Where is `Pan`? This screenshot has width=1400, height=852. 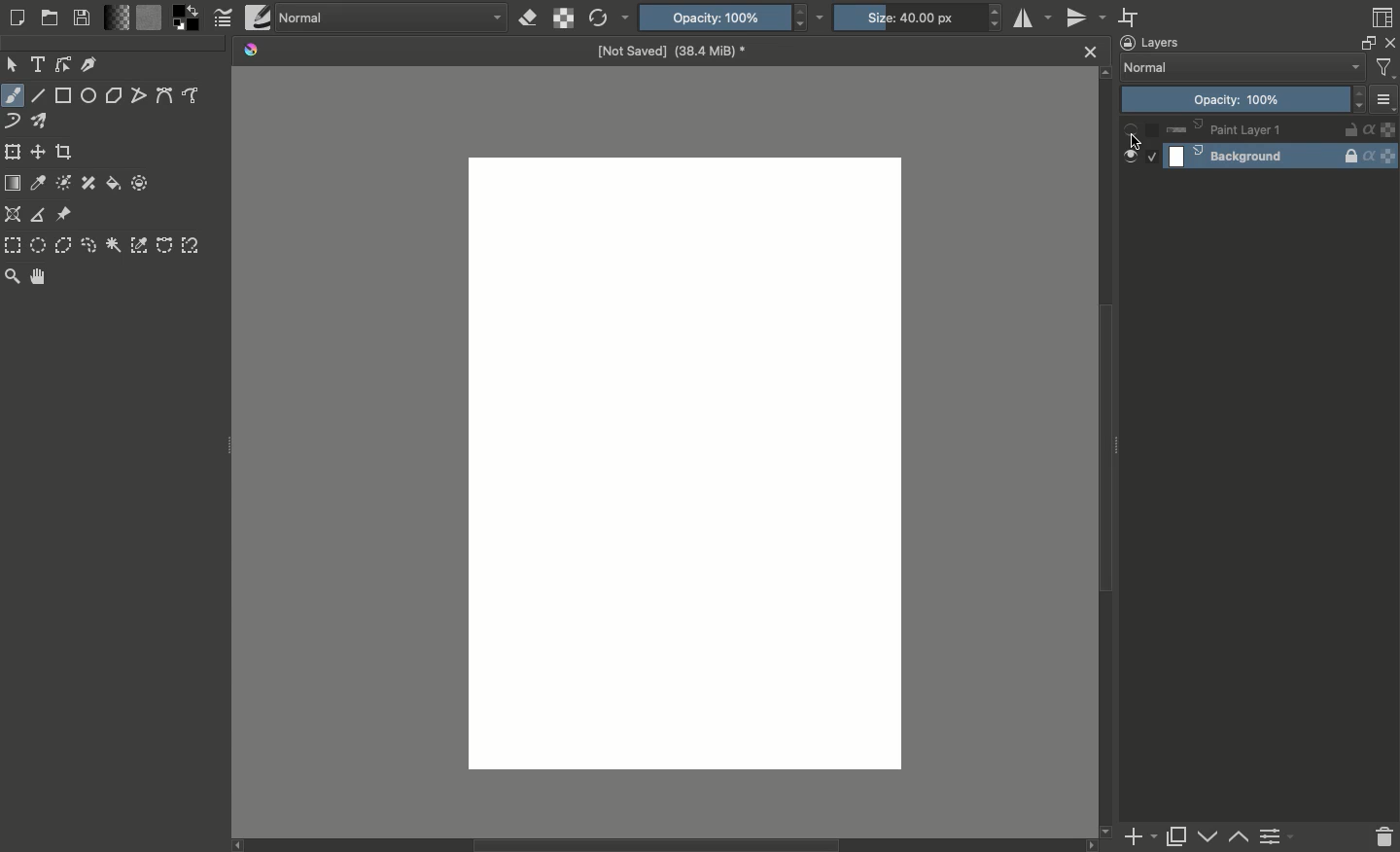 Pan is located at coordinates (40, 277).